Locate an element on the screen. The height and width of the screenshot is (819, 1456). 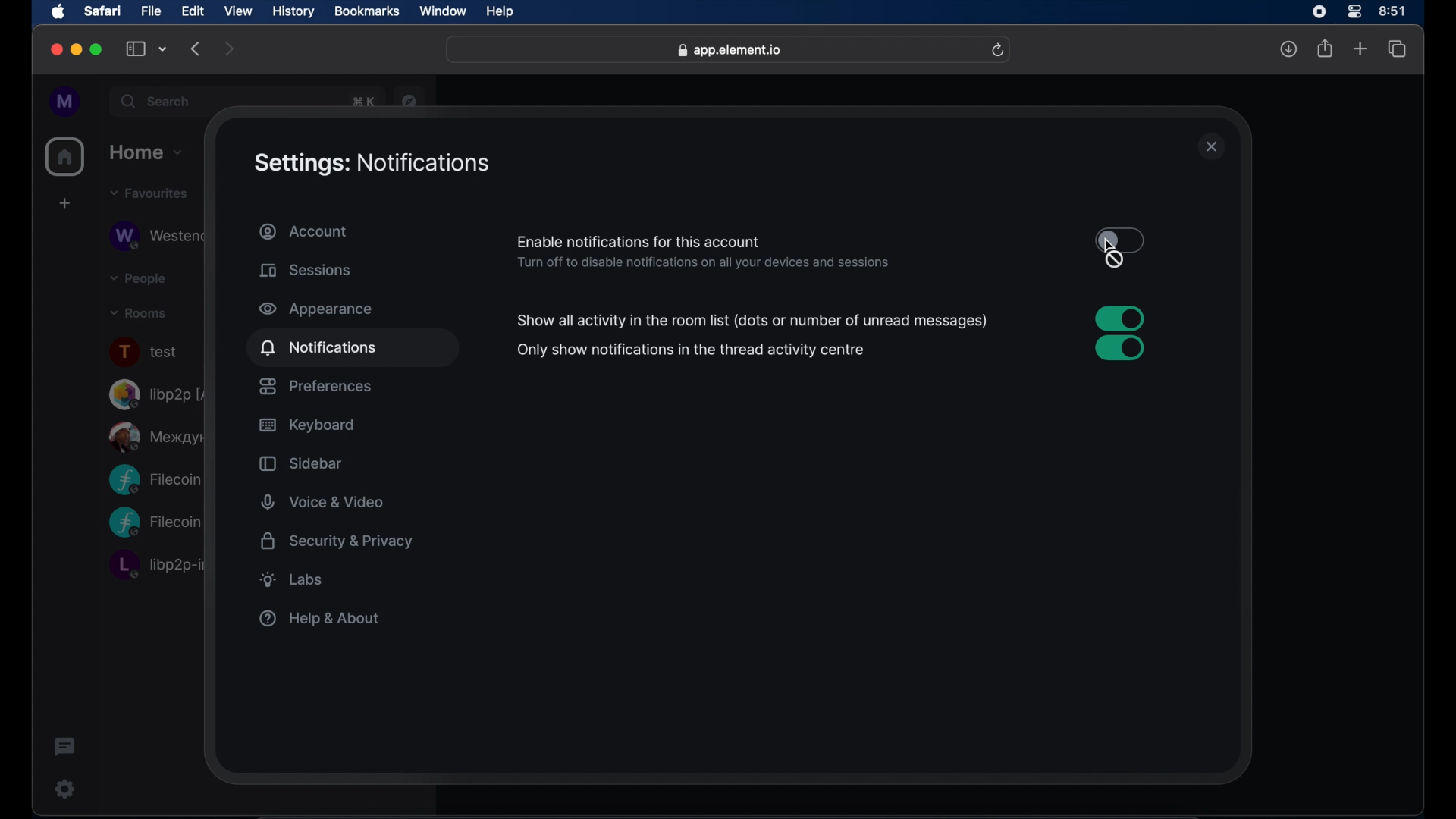
show tab overview is located at coordinates (1397, 49).